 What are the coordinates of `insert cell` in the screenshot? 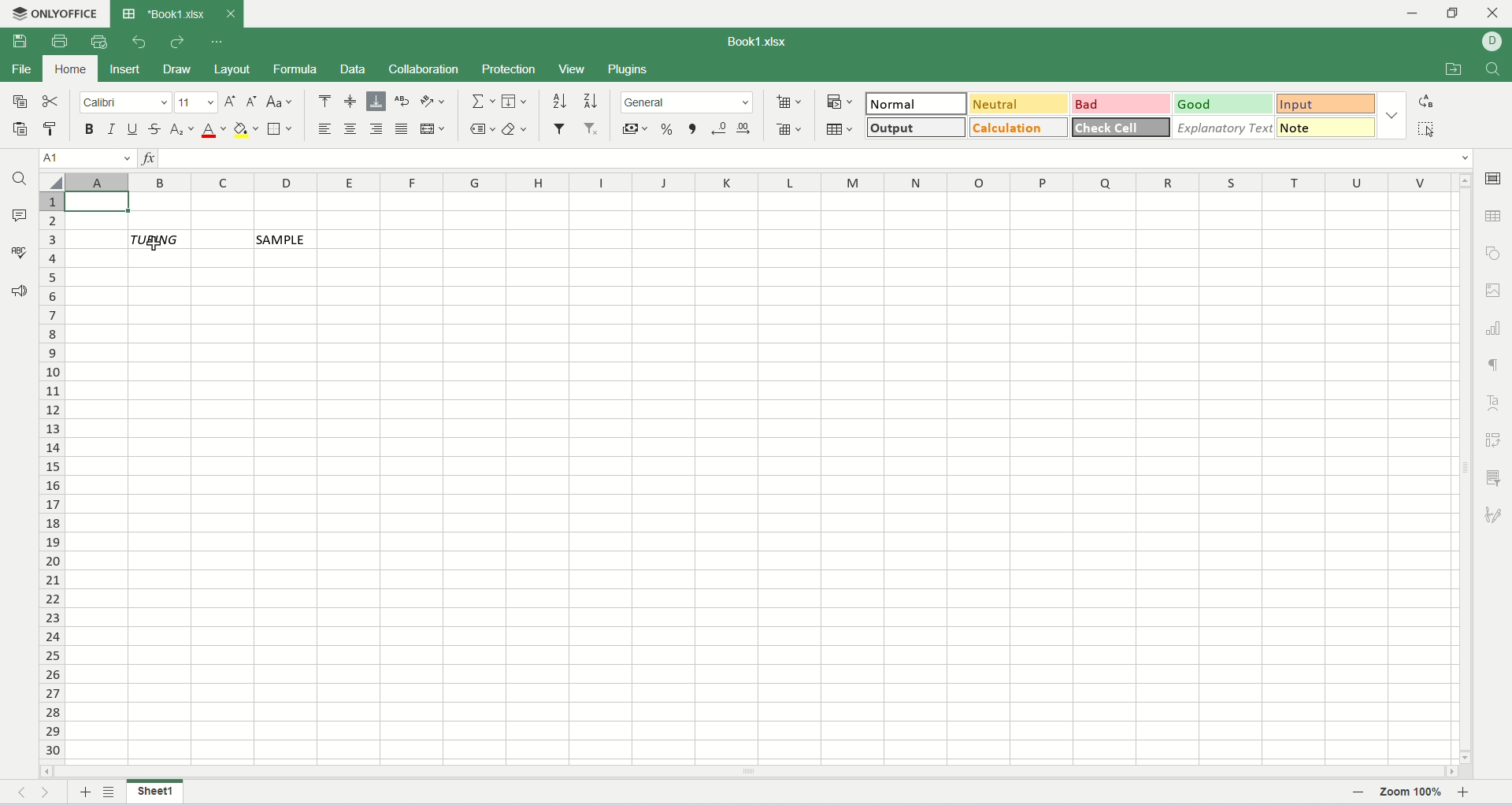 It's located at (787, 102).